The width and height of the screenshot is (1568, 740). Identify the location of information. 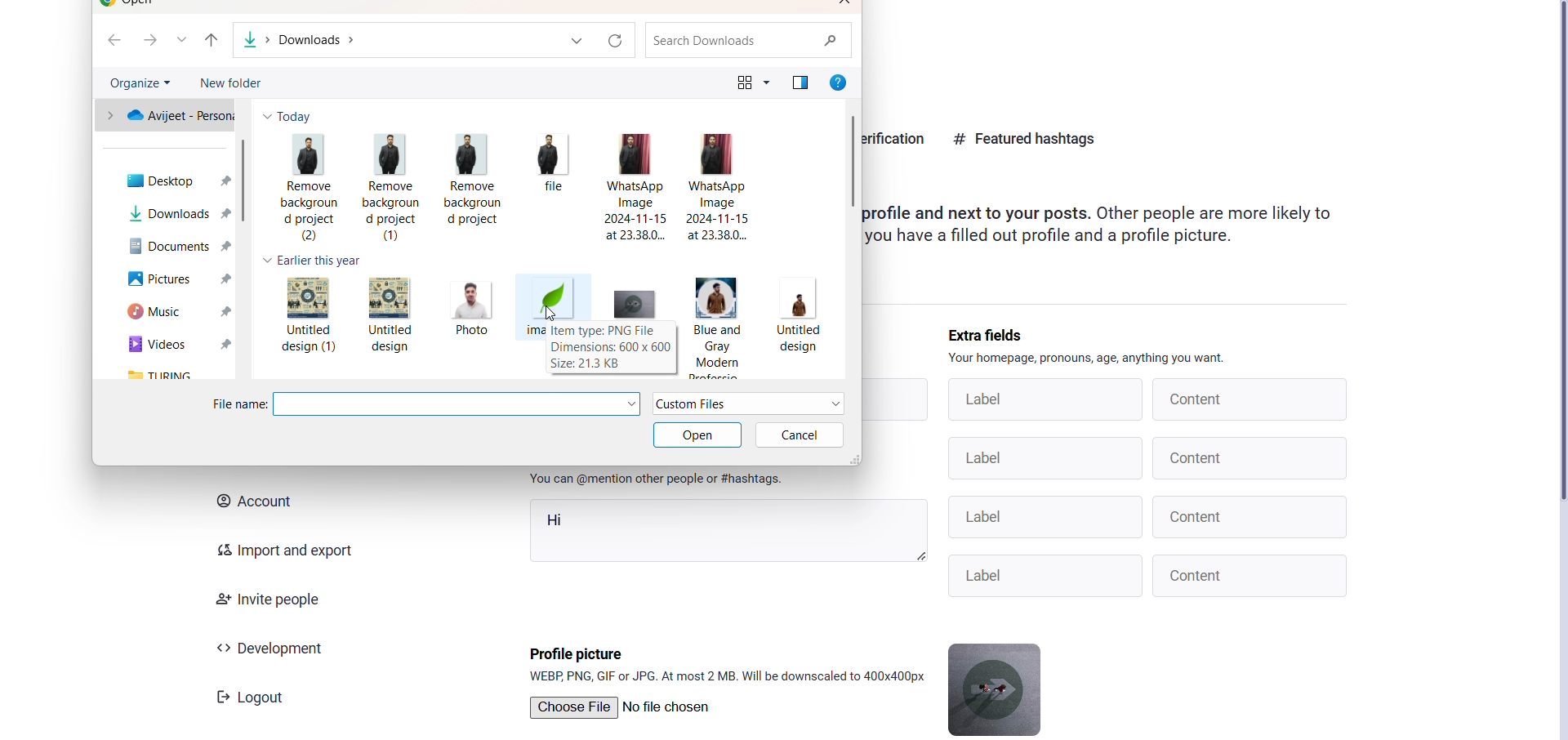
(611, 348).